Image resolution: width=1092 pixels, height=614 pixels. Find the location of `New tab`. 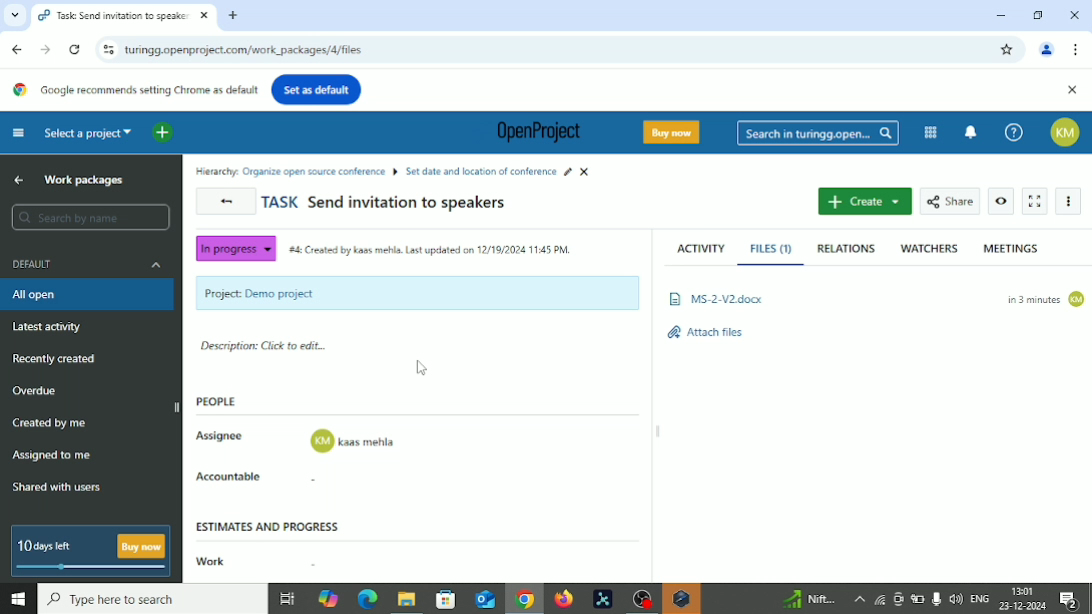

New tab is located at coordinates (234, 16).